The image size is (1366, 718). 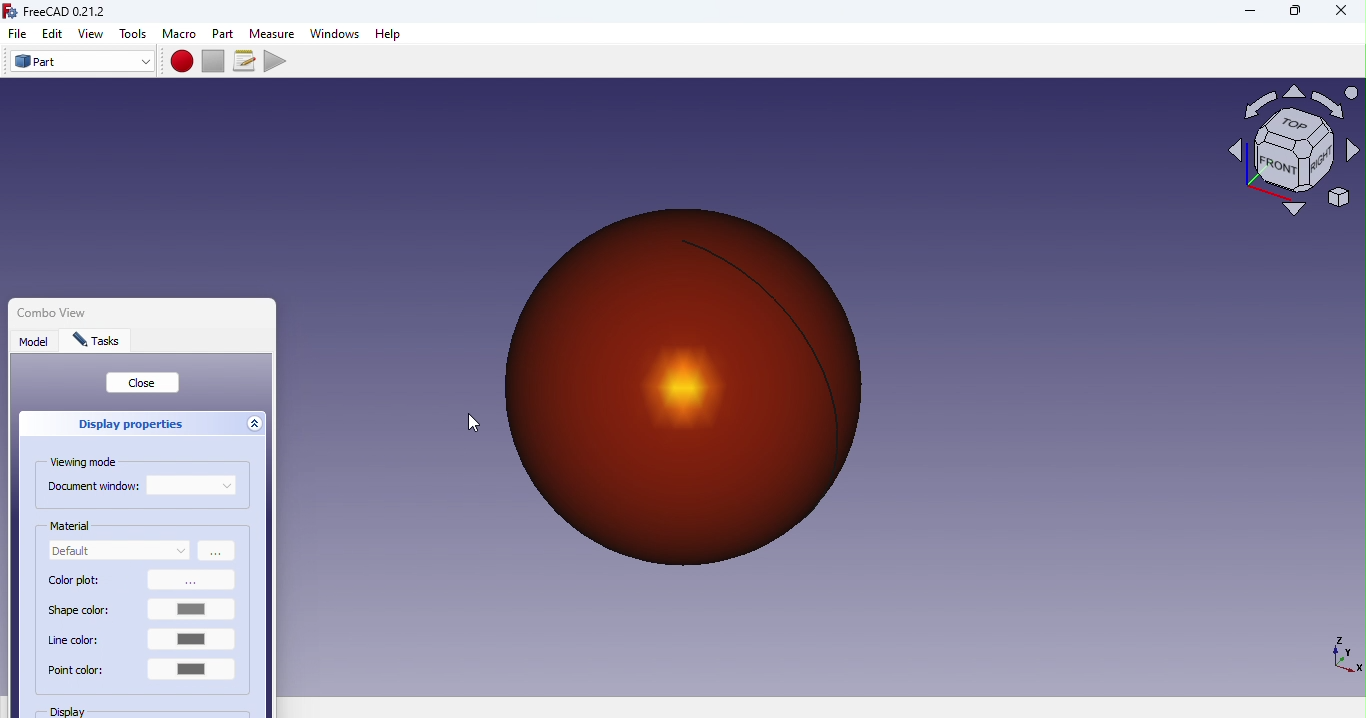 I want to click on View, so click(x=94, y=34).